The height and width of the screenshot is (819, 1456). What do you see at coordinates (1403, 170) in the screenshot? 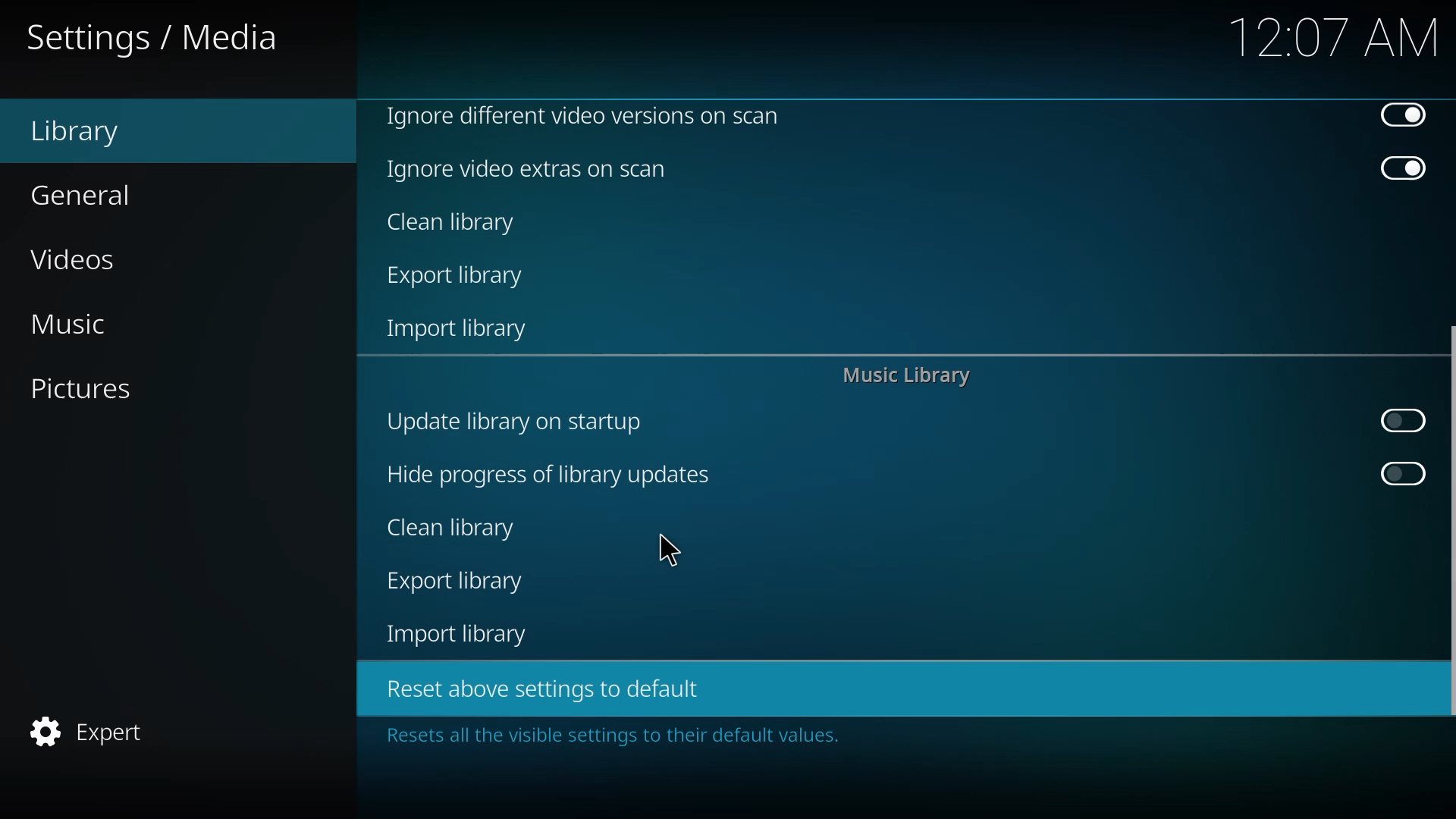
I see `disabled` at bounding box center [1403, 170].